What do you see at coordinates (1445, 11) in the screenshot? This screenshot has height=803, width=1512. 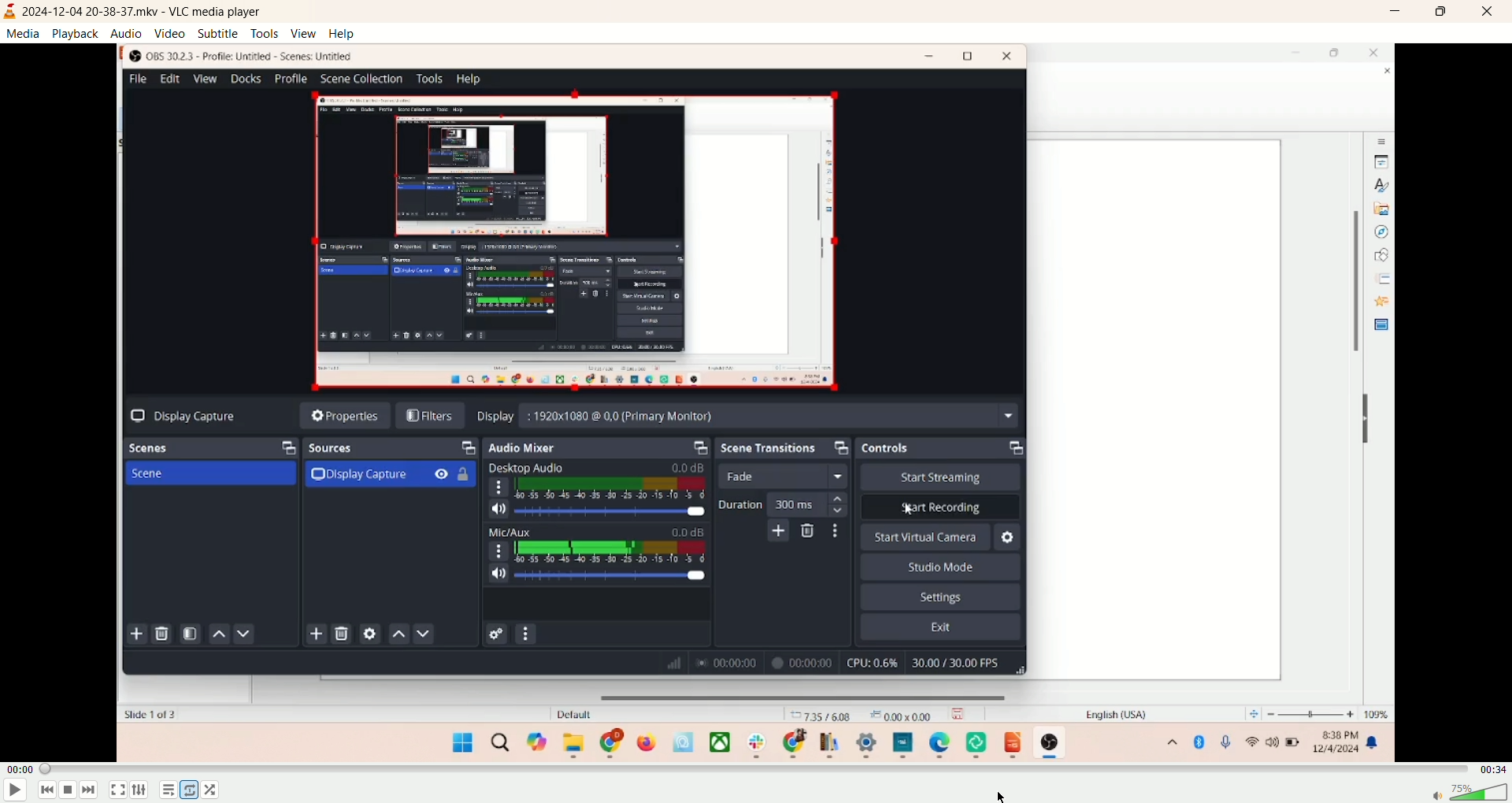 I see `maximize` at bounding box center [1445, 11].